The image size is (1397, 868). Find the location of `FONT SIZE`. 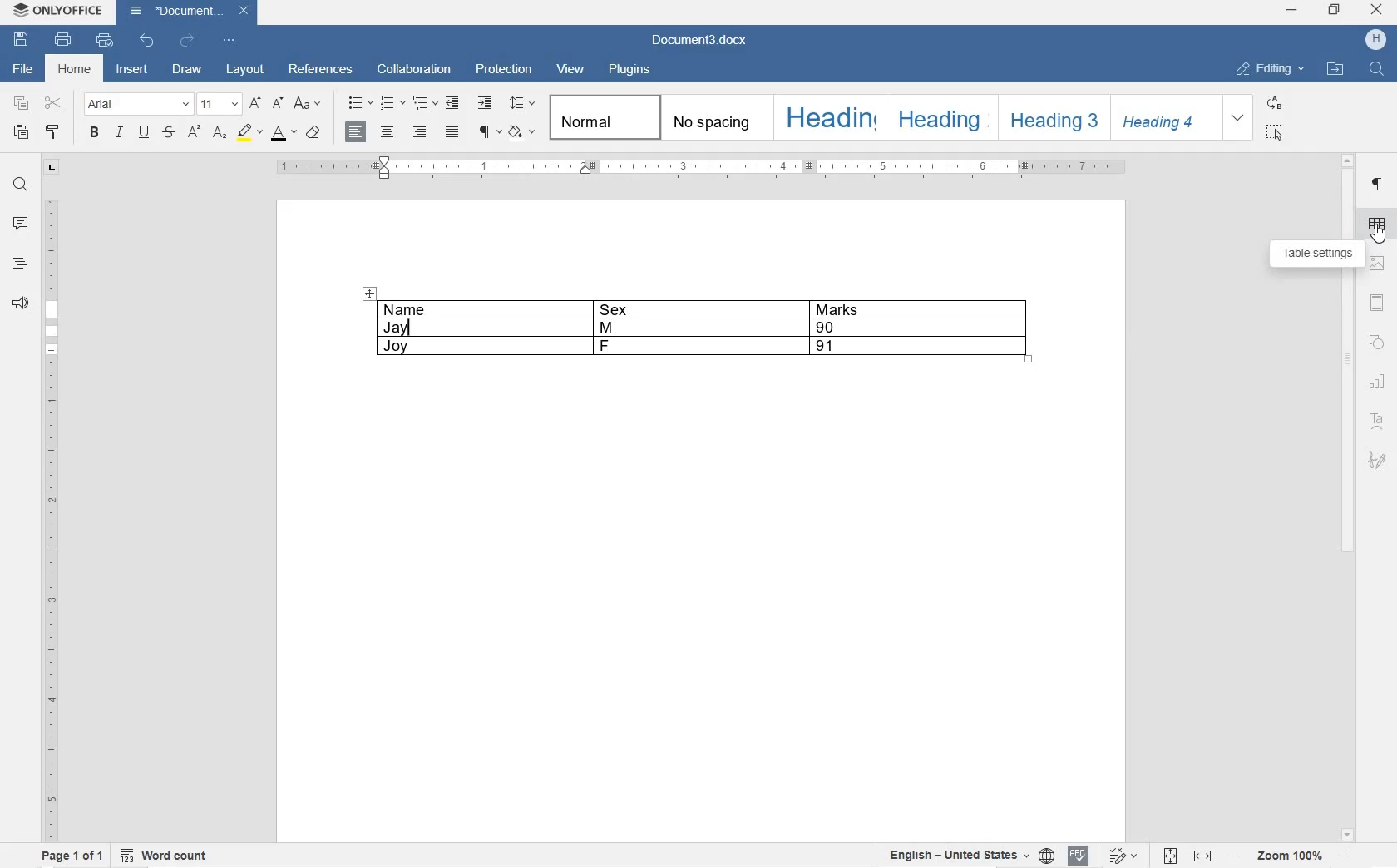

FONT SIZE is located at coordinates (220, 104).